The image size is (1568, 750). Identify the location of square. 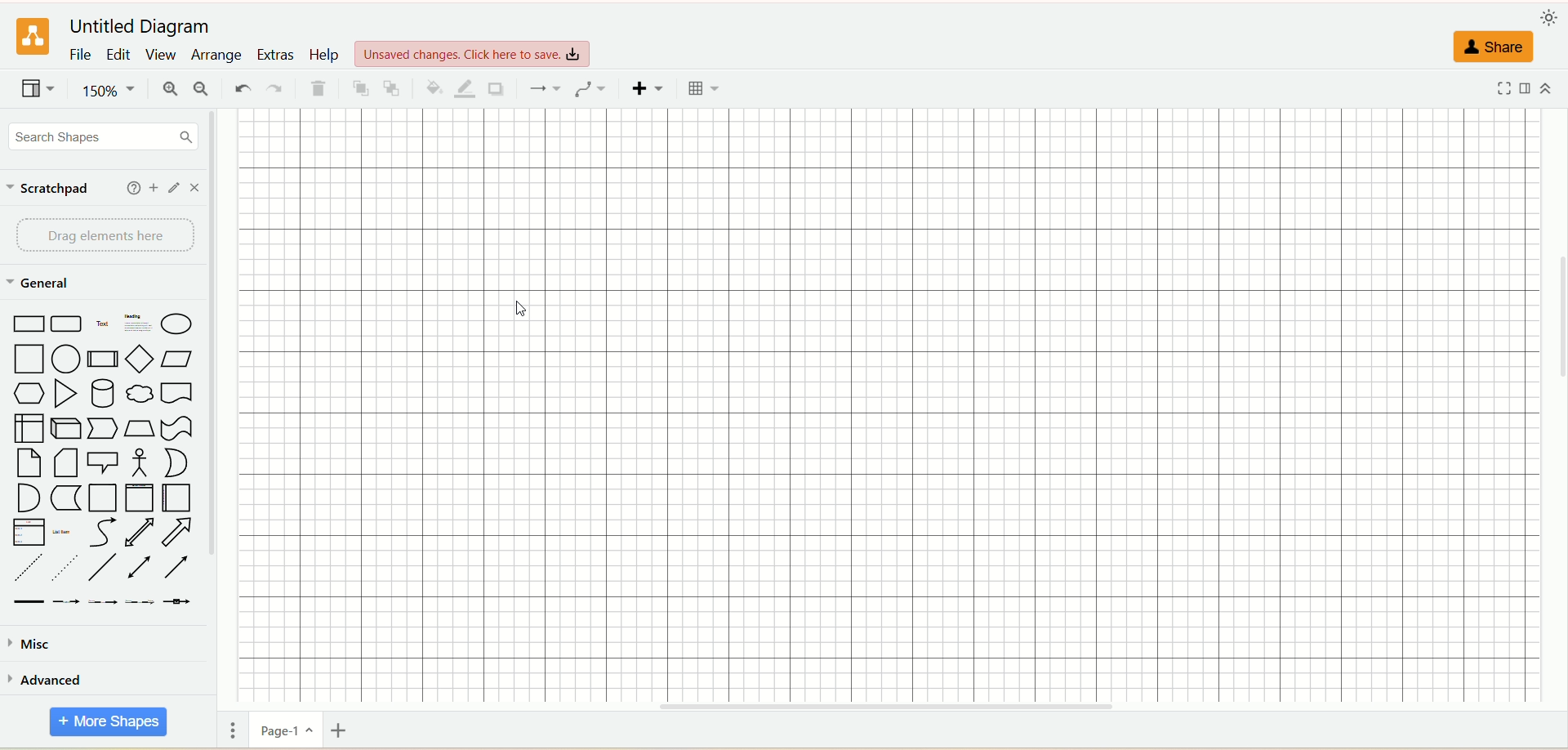
(32, 359).